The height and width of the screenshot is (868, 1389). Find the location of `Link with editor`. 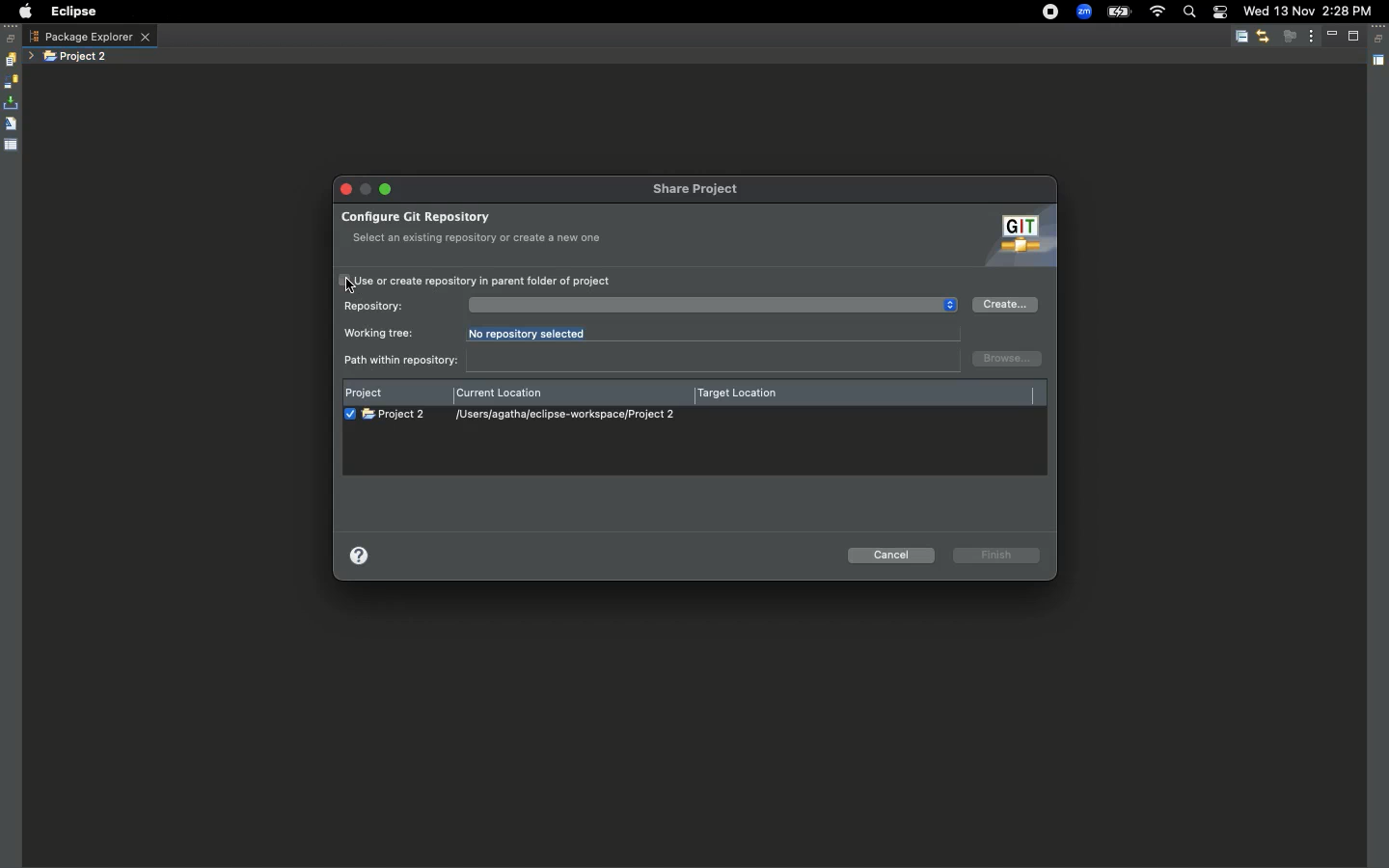

Link with editor is located at coordinates (1263, 36).